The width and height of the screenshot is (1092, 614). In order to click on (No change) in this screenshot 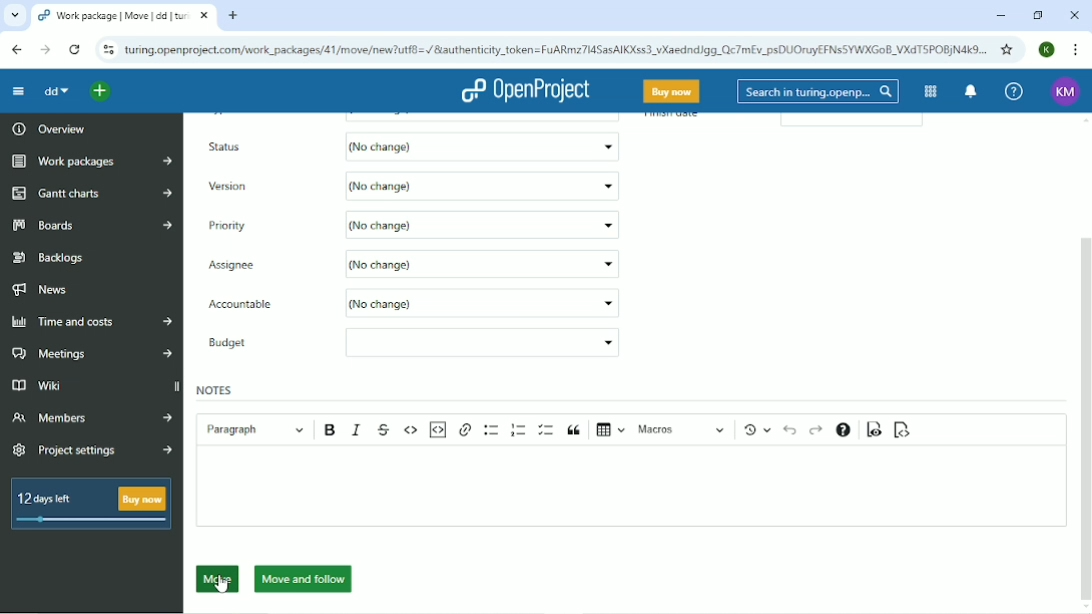, I will do `click(487, 186)`.